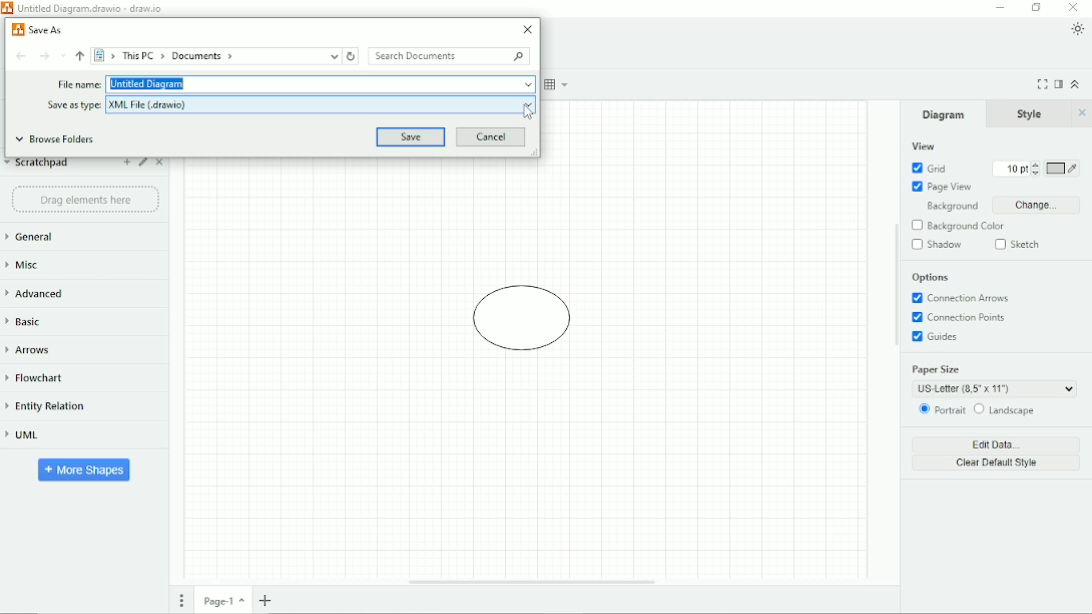 The height and width of the screenshot is (614, 1092). I want to click on Cursor Position, so click(527, 109).